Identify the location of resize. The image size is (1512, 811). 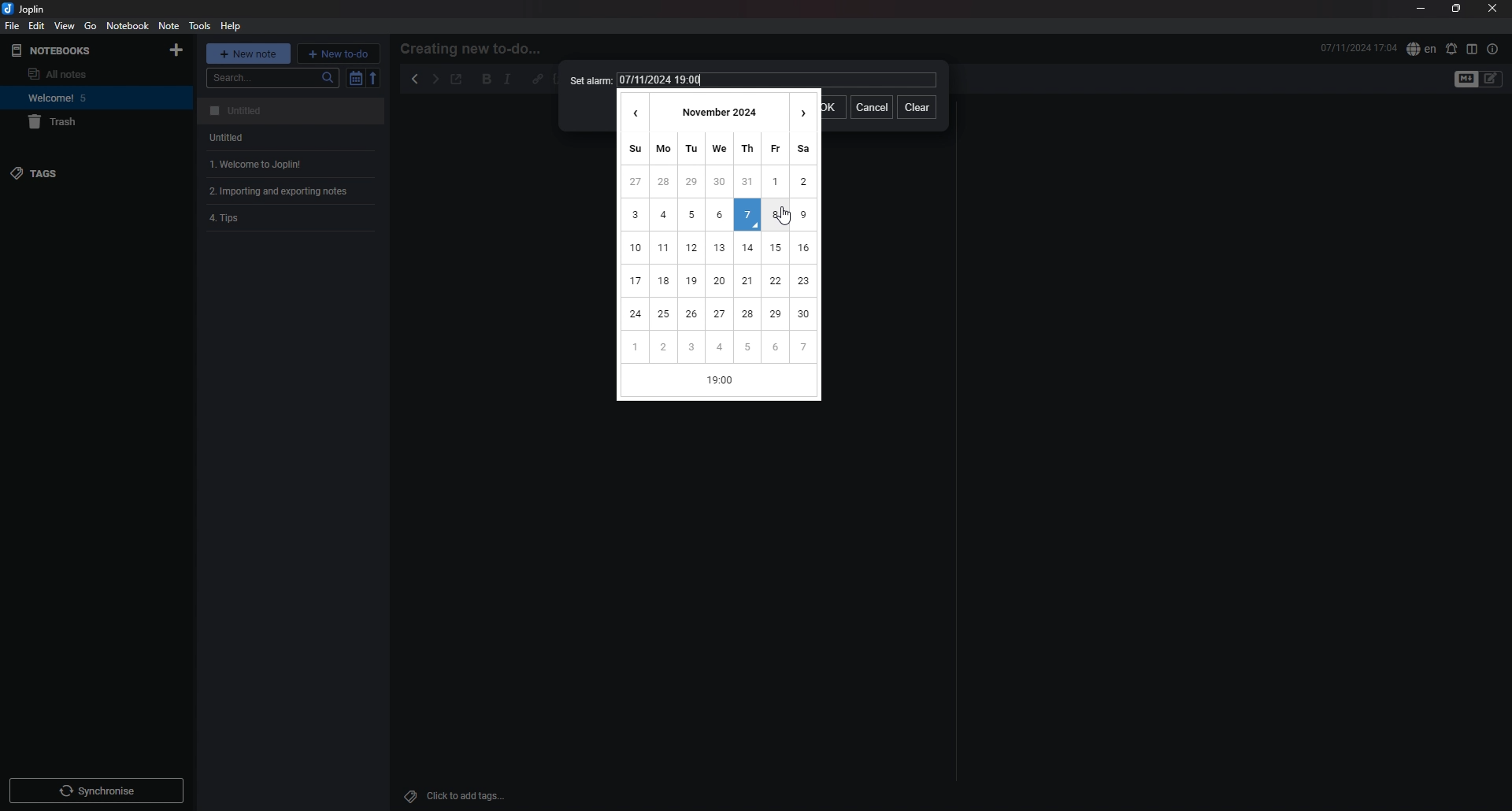
(1457, 9).